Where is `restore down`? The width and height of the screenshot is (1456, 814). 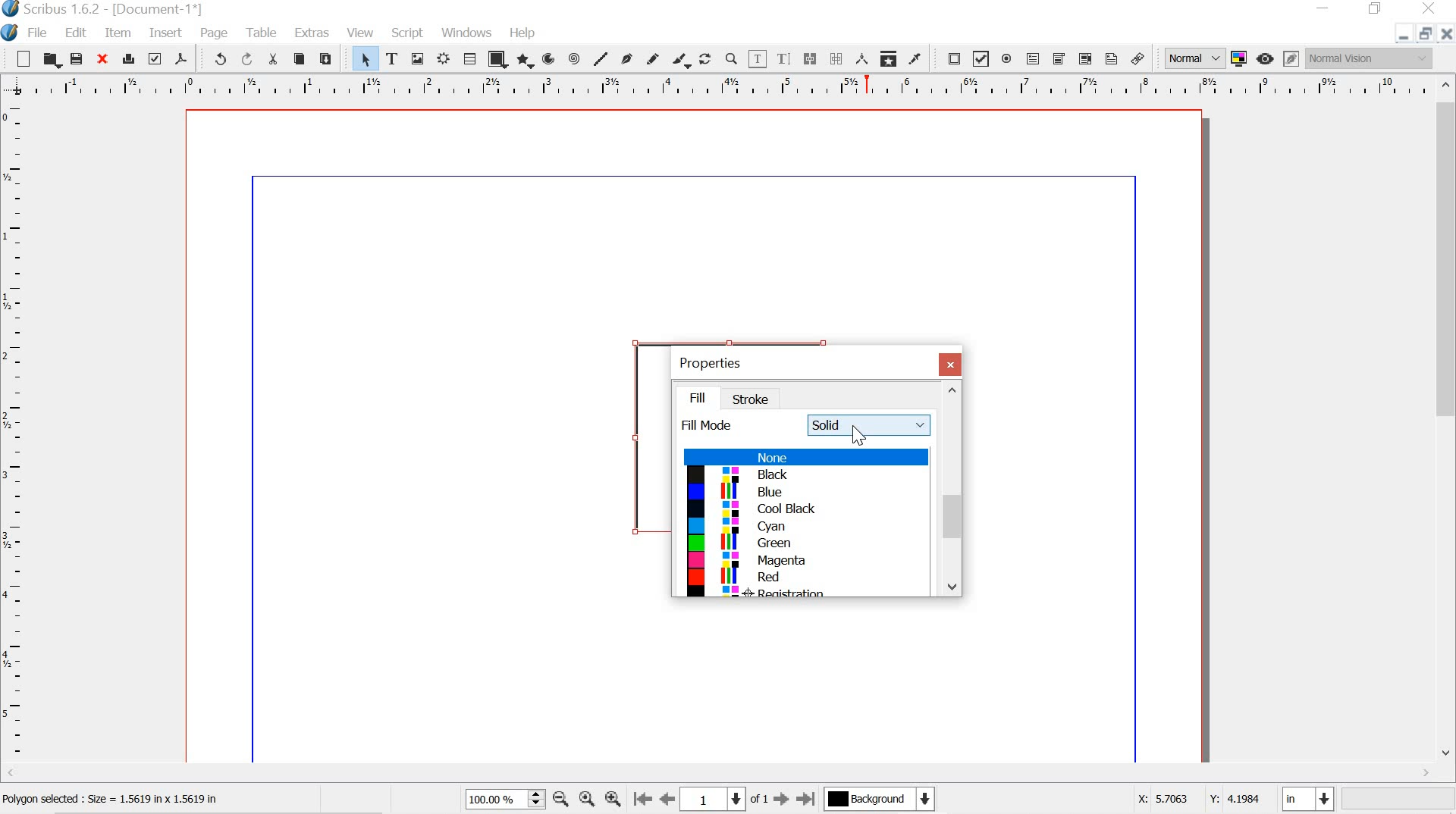
restore down is located at coordinates (1423, 33).